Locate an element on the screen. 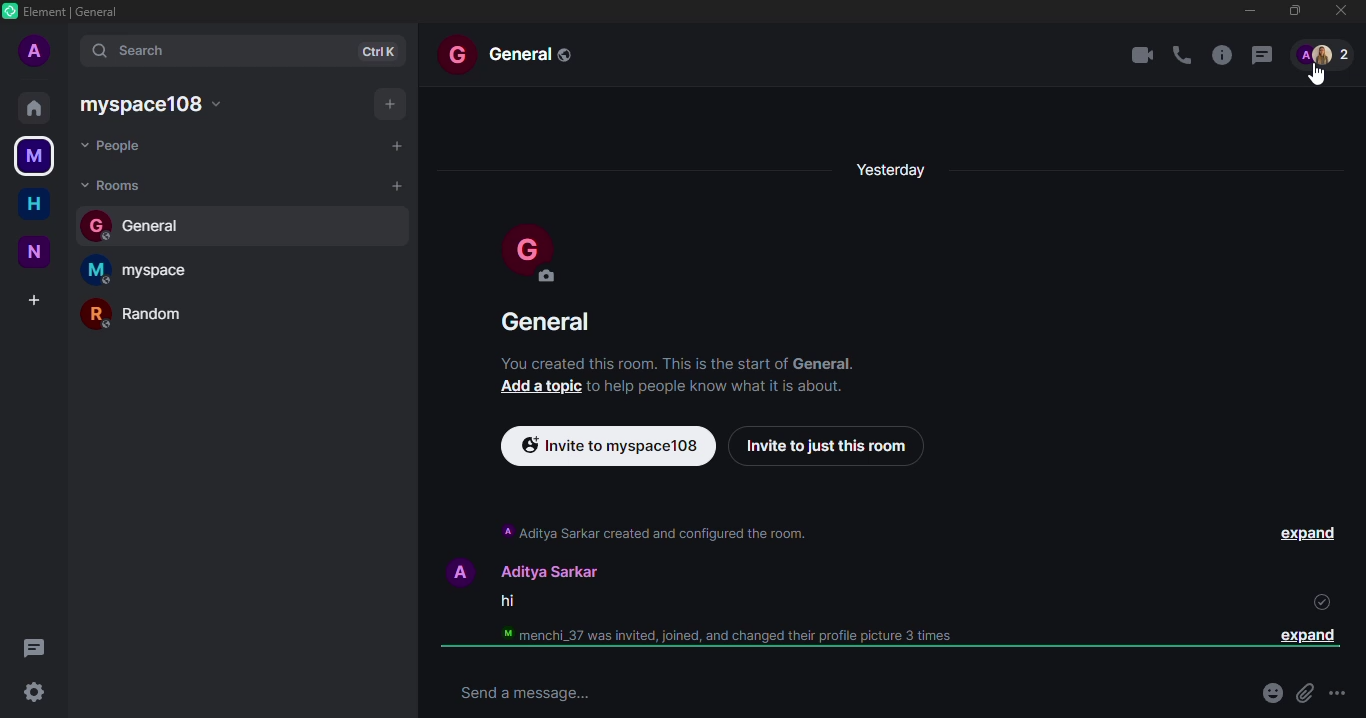 This screenshot has width=1366, height=718. general is located at coordinates (548, 320).